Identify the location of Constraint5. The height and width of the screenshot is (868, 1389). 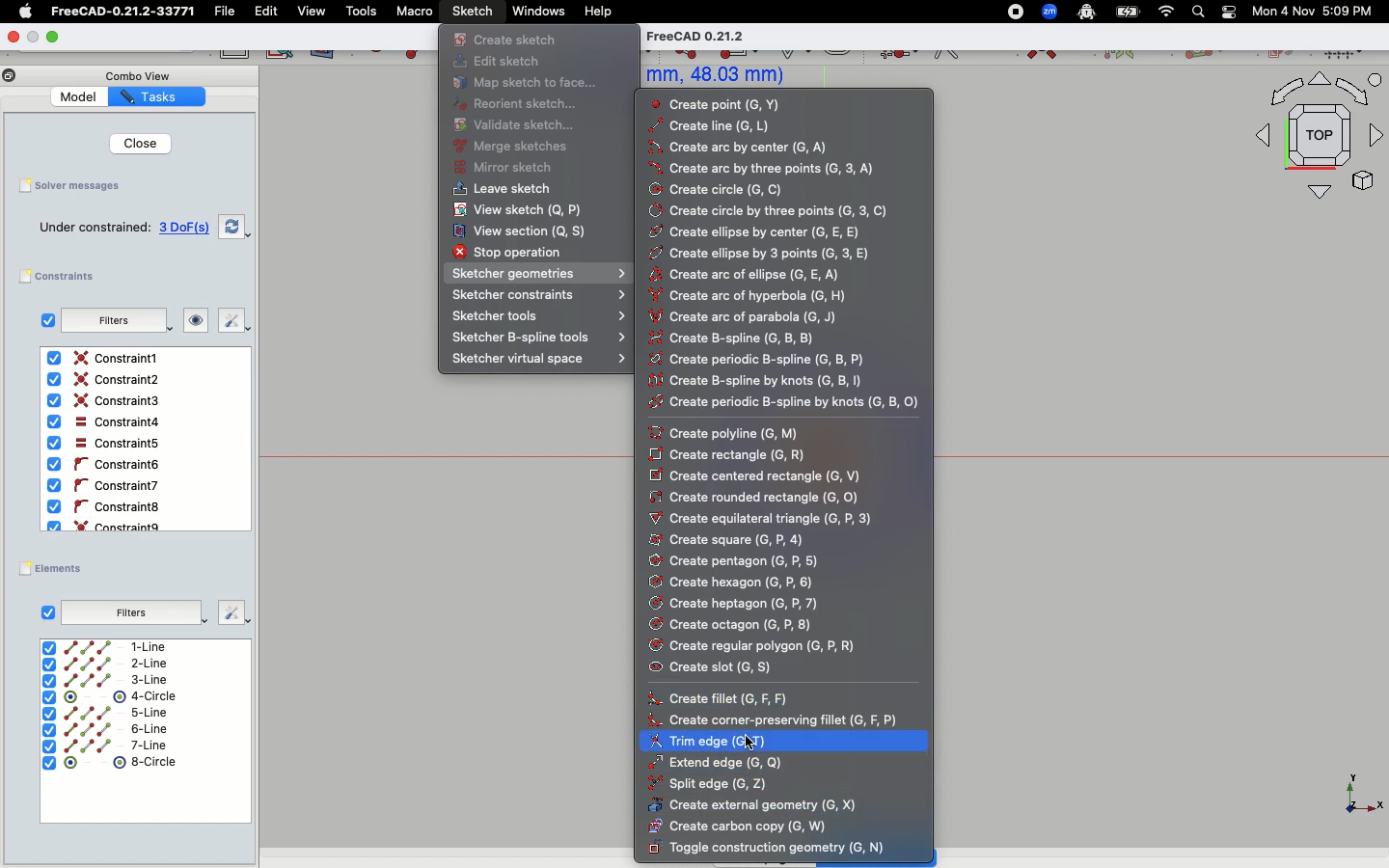
(103, 444).